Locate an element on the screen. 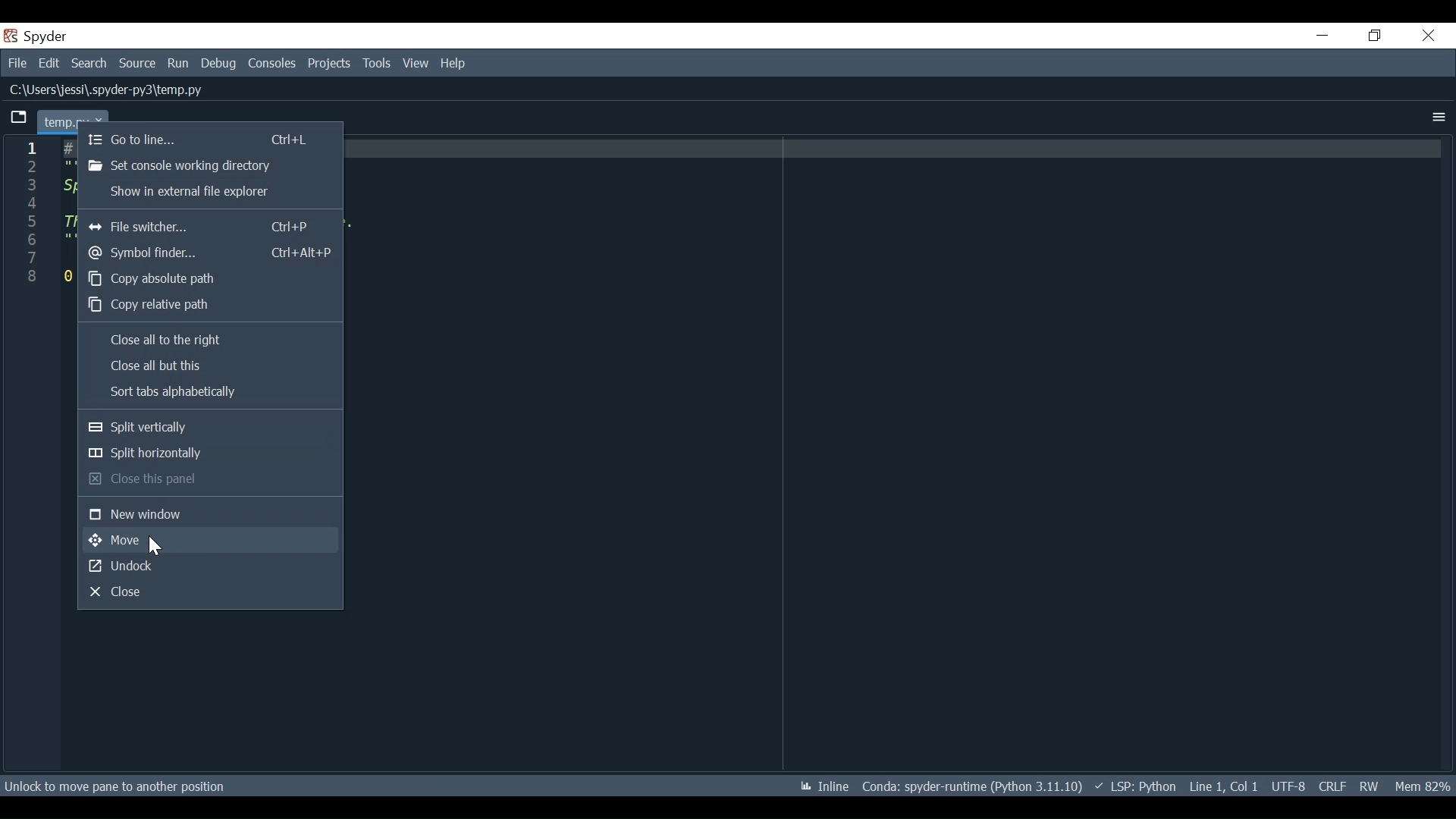  Consoles is located at coordinates (271, 64).